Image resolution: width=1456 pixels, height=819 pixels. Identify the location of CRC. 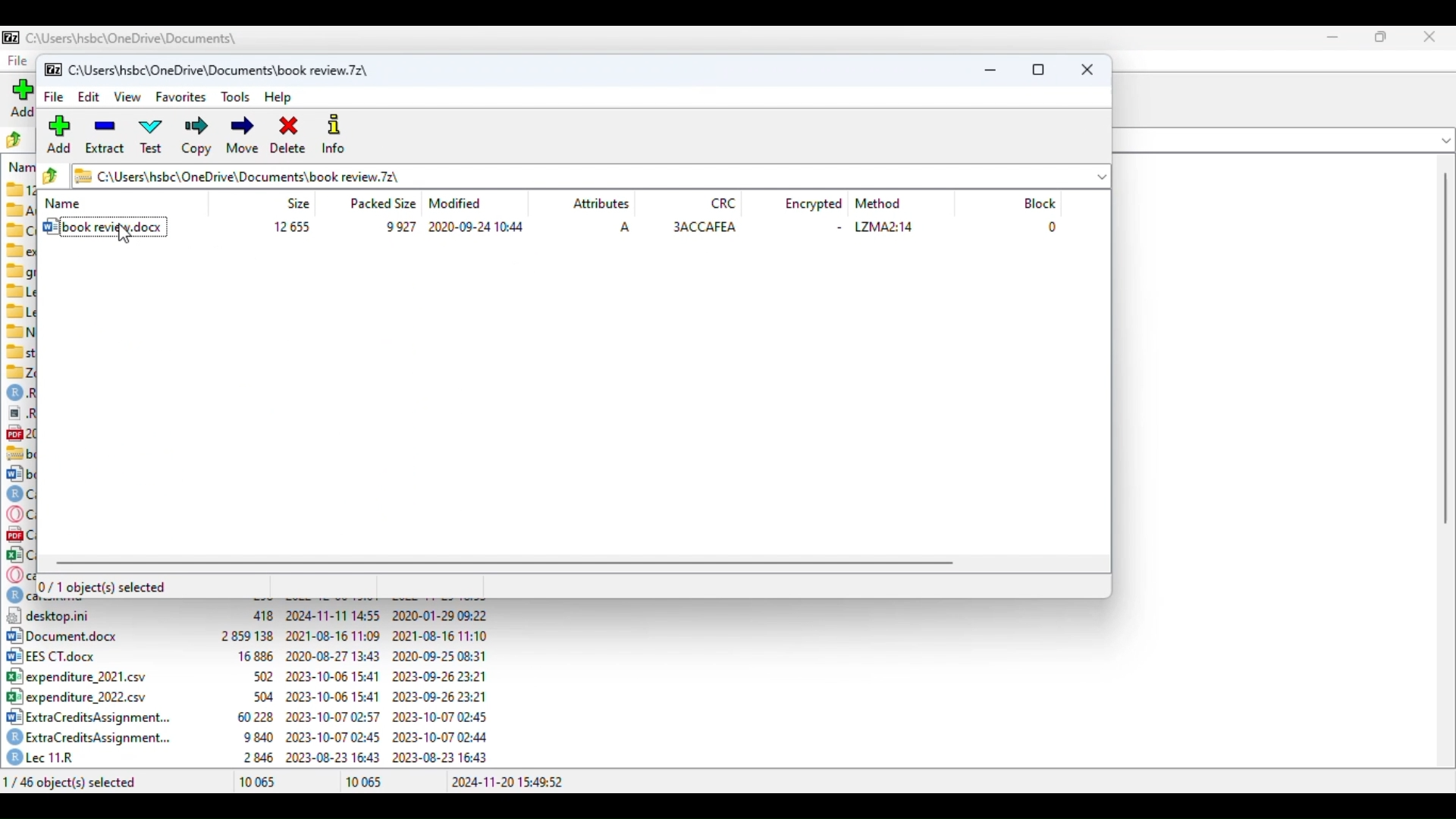
(724, 203).